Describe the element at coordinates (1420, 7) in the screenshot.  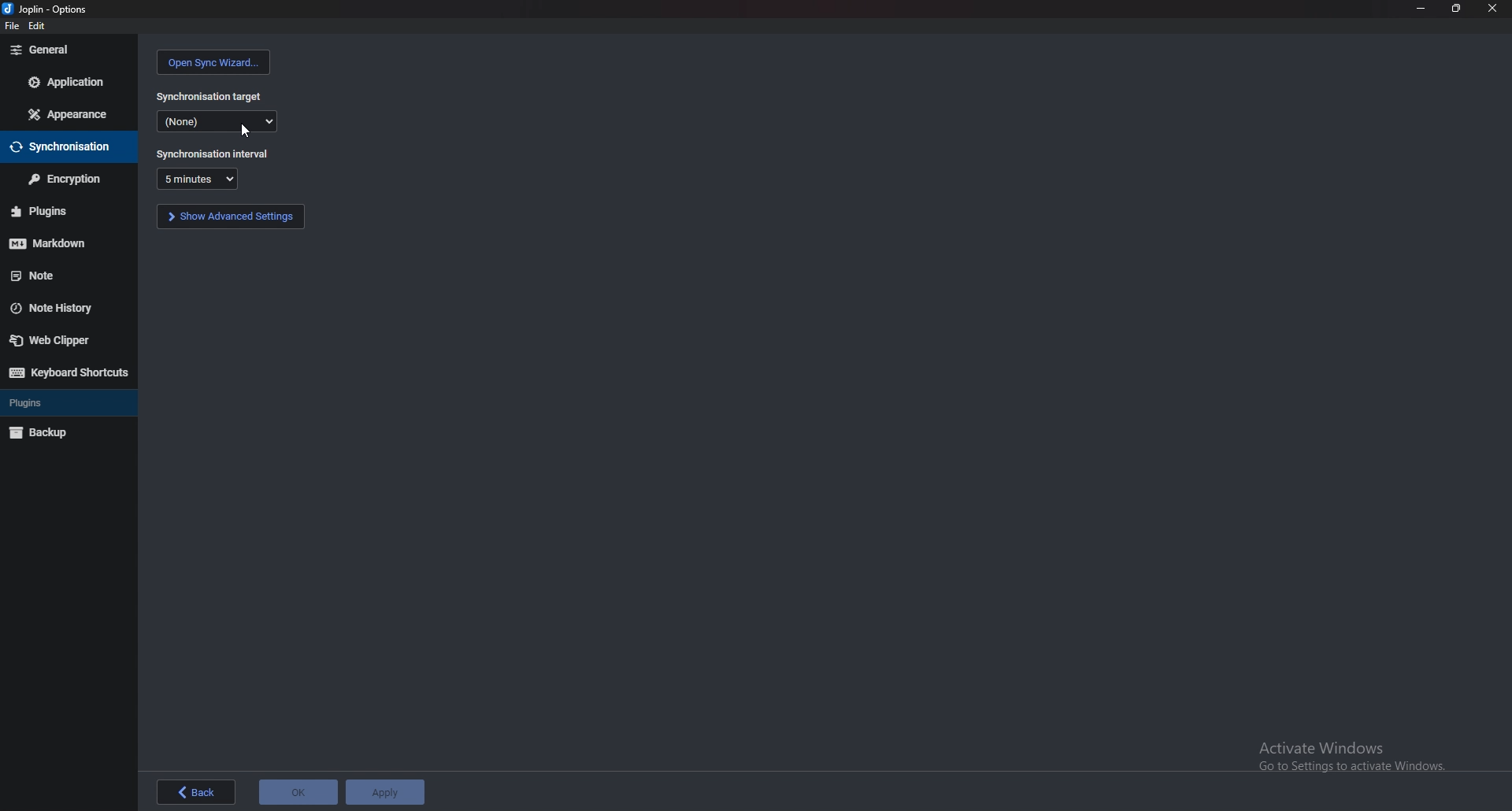
I see `minimize` at that location.